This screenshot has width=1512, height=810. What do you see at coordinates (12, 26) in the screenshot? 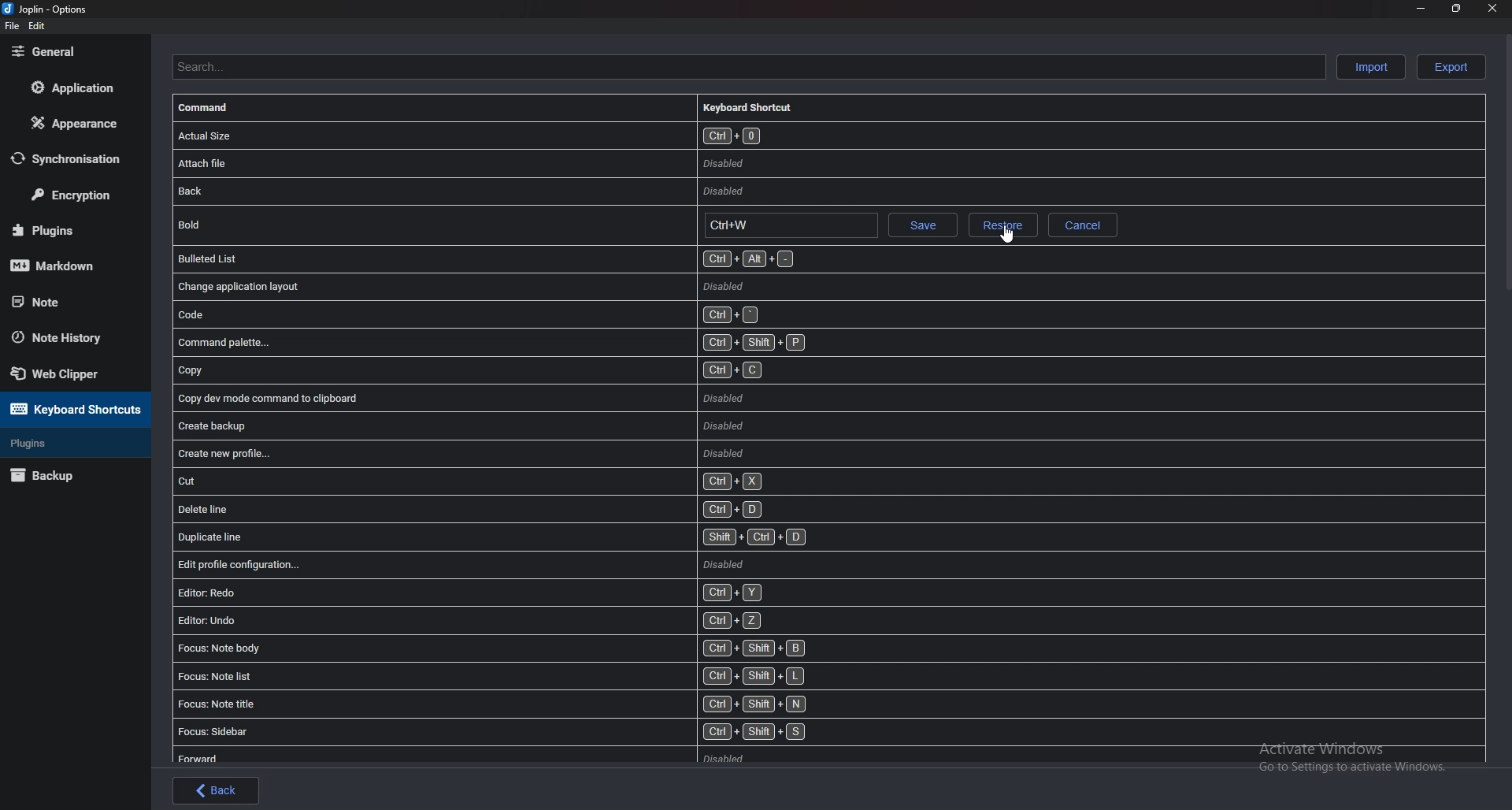
I see `File` at bounding box center [12, 26].